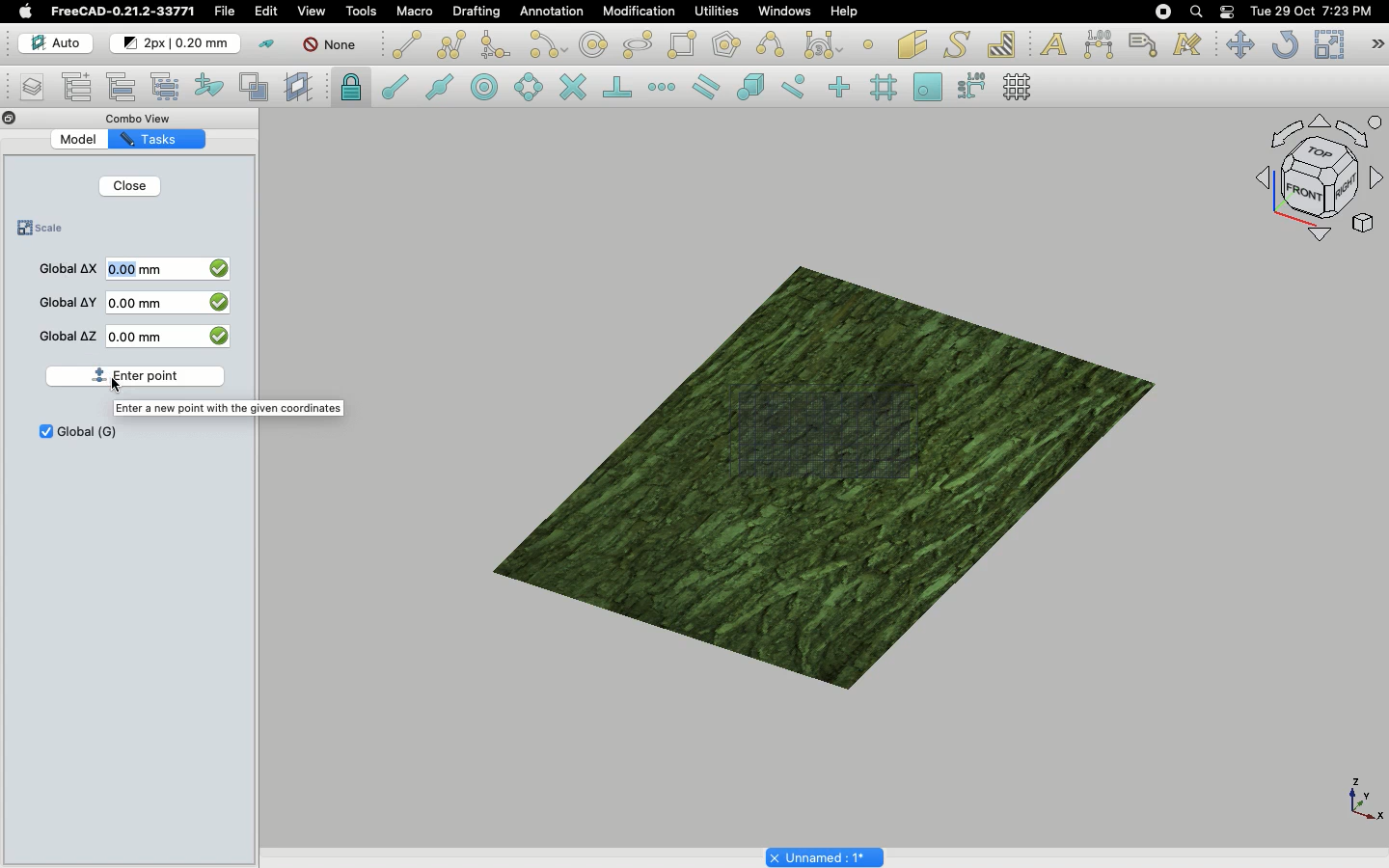 This screenshot has height=868, width=1389. What do you see at coordinates (826, 44) in the screenshot?
I see `Bezier tools` at bounding box center [826, 44].